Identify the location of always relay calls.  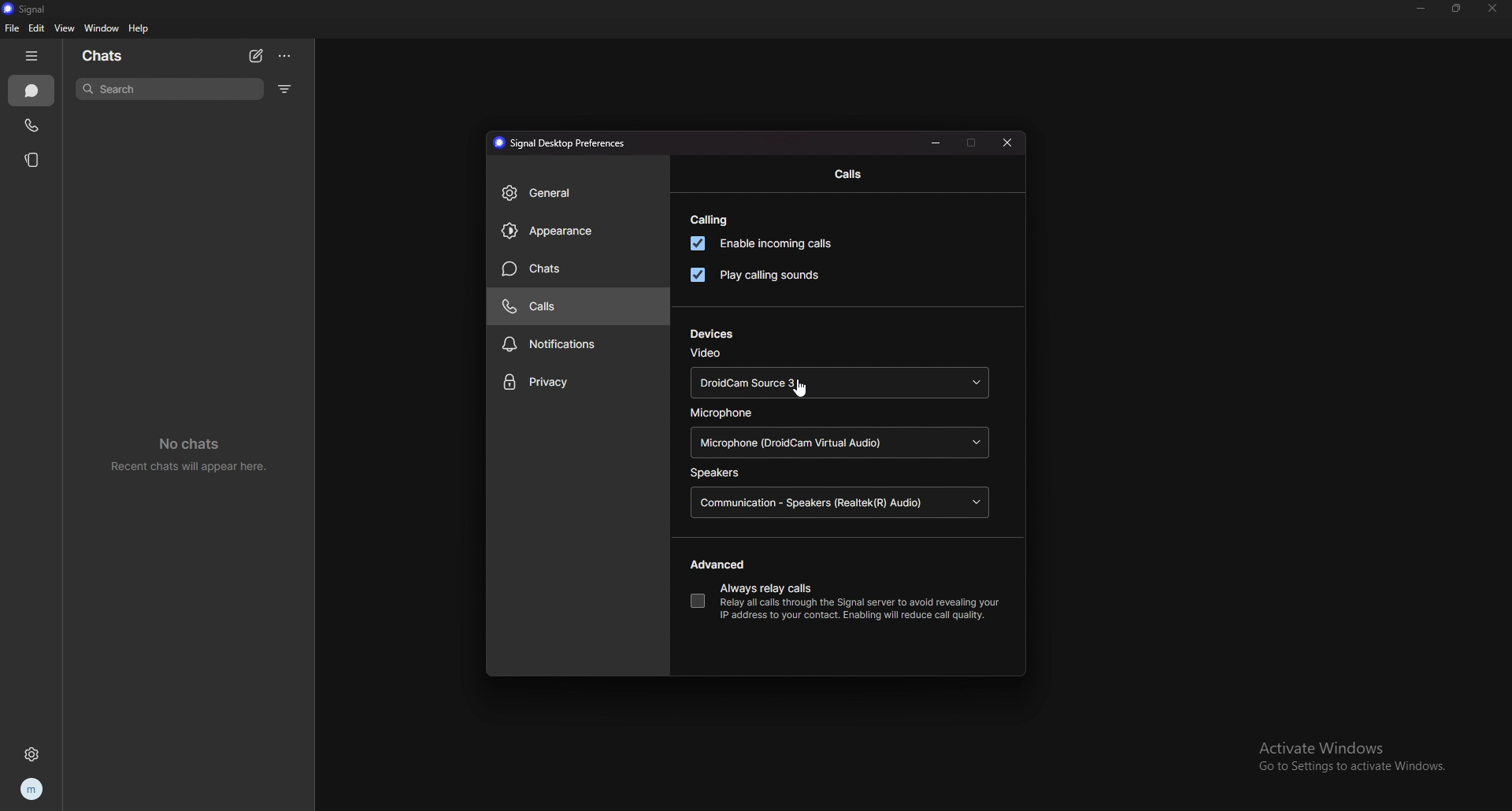
(697, 601).